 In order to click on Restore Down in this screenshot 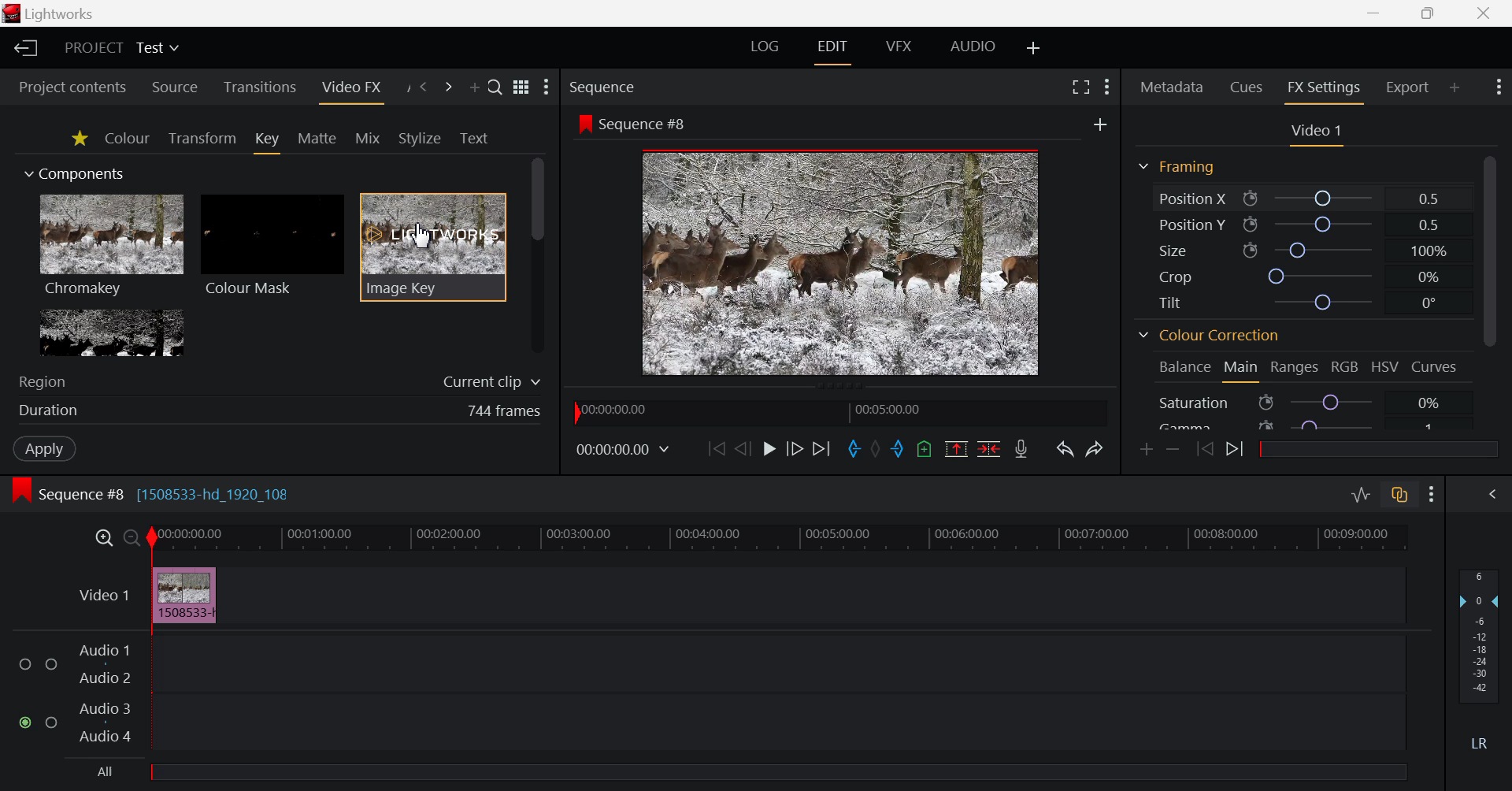, I will do `click(1375, 13)`.